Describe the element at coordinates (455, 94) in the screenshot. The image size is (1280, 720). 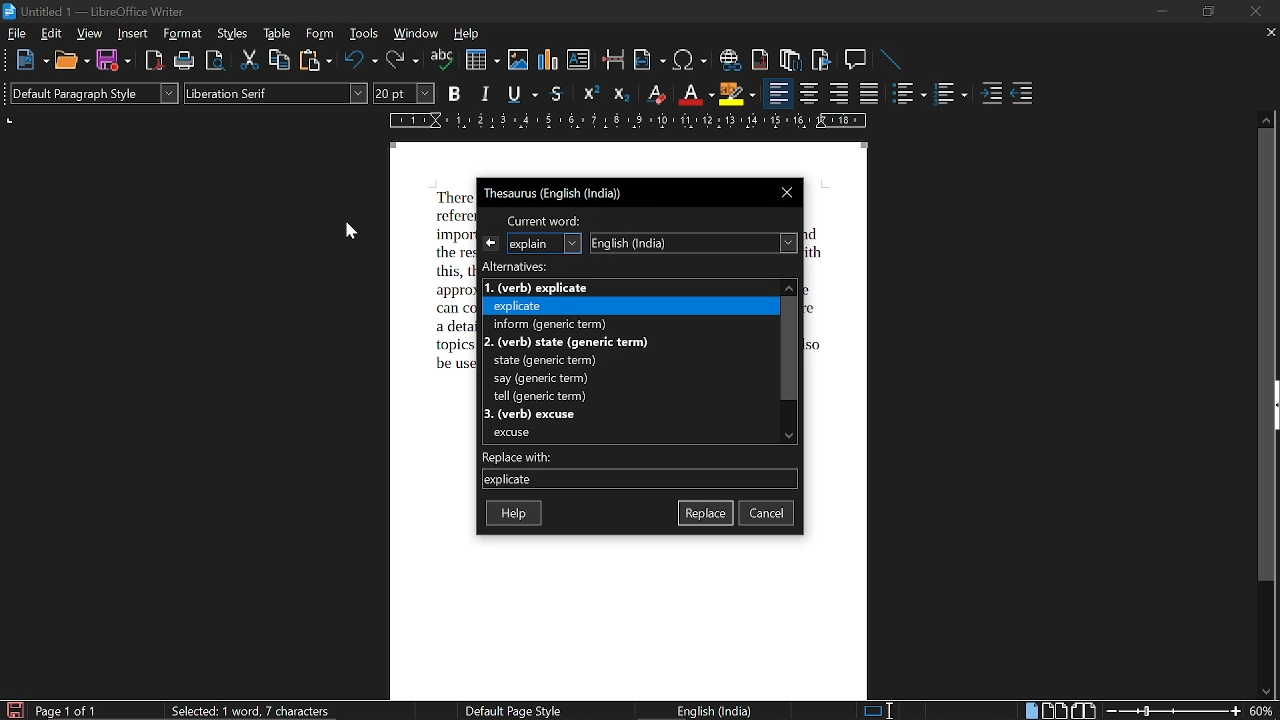
I see `bold` at that location.